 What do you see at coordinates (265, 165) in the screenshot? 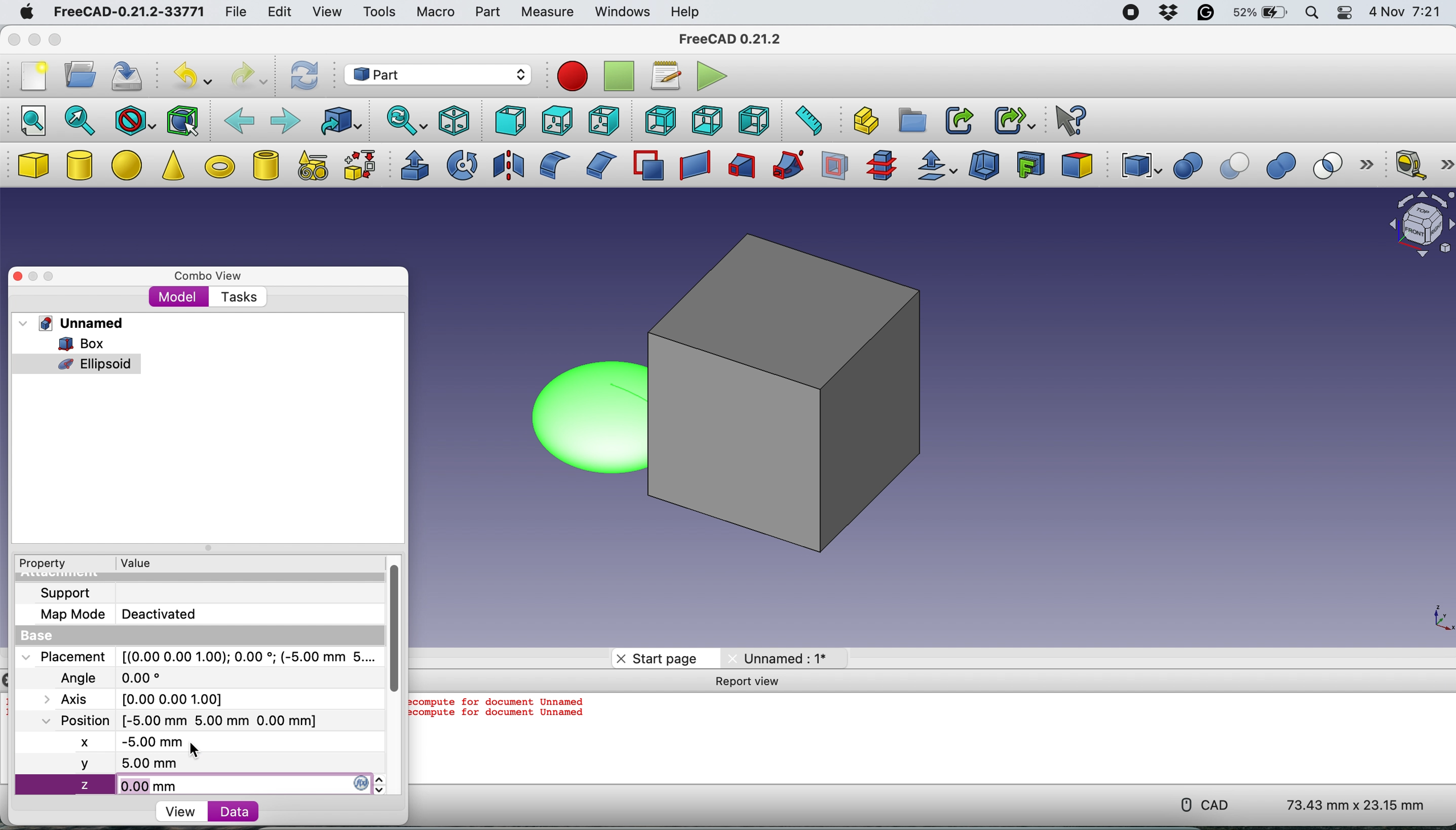
I see `create tube` at bounding box center [265, 165].